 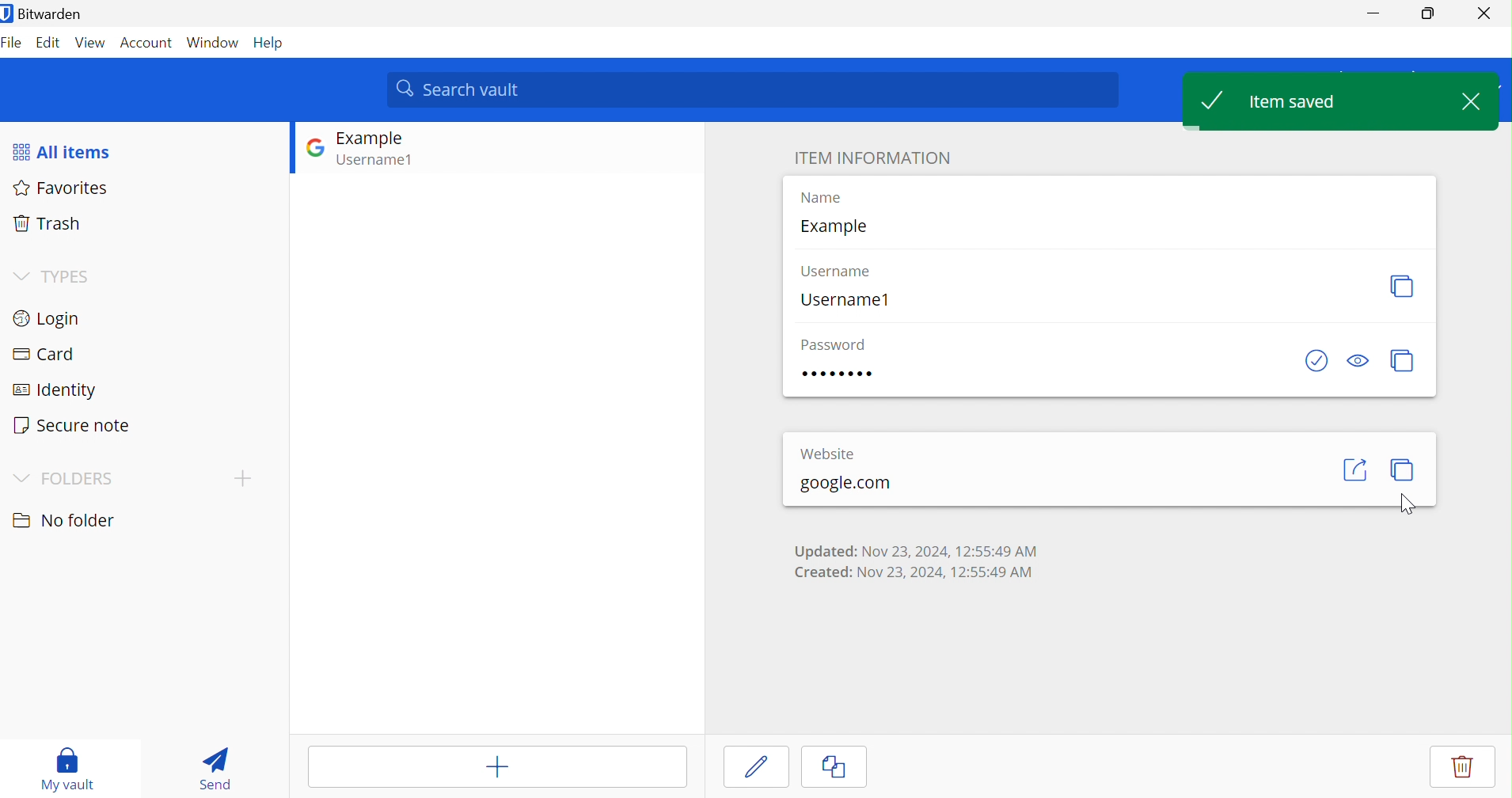 What do you see at coordinates (394, 151) in the screenshot?
I see `GOOGLE LOGIN ENTRY` at bounding box center [394, 151].